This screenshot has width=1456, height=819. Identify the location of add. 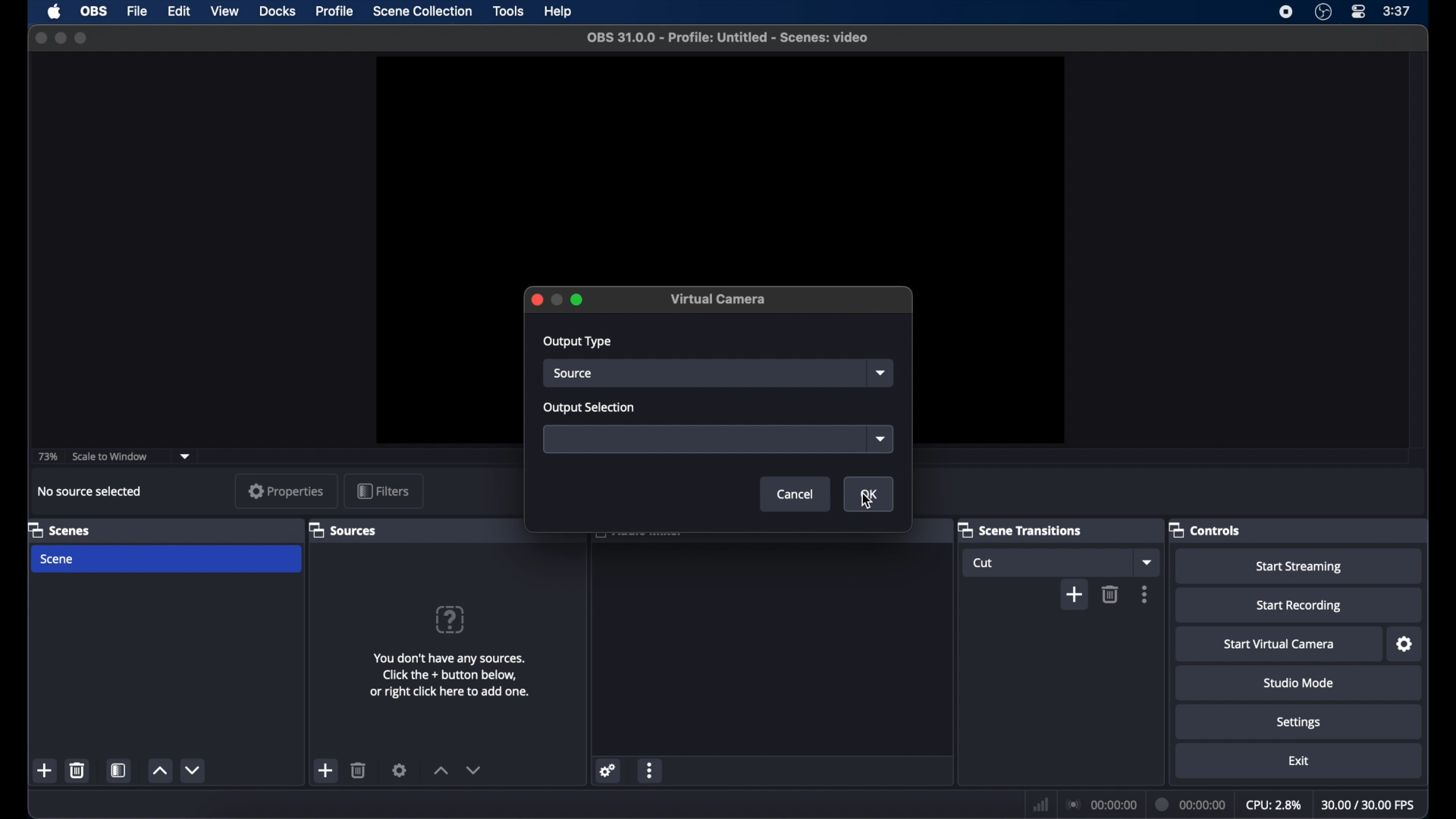
(326, 770).